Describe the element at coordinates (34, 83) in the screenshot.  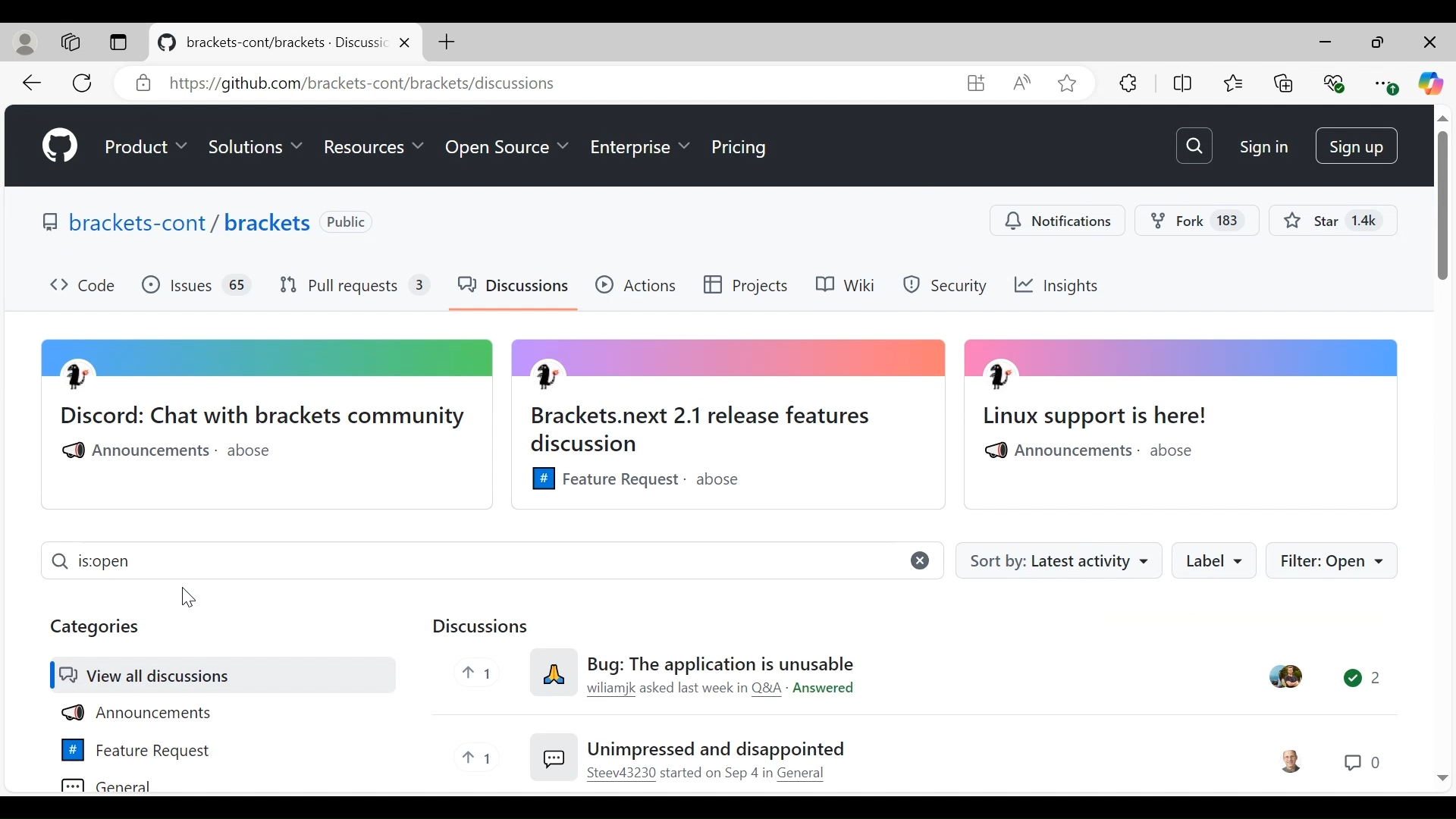
I see `Navigate back` at that location.